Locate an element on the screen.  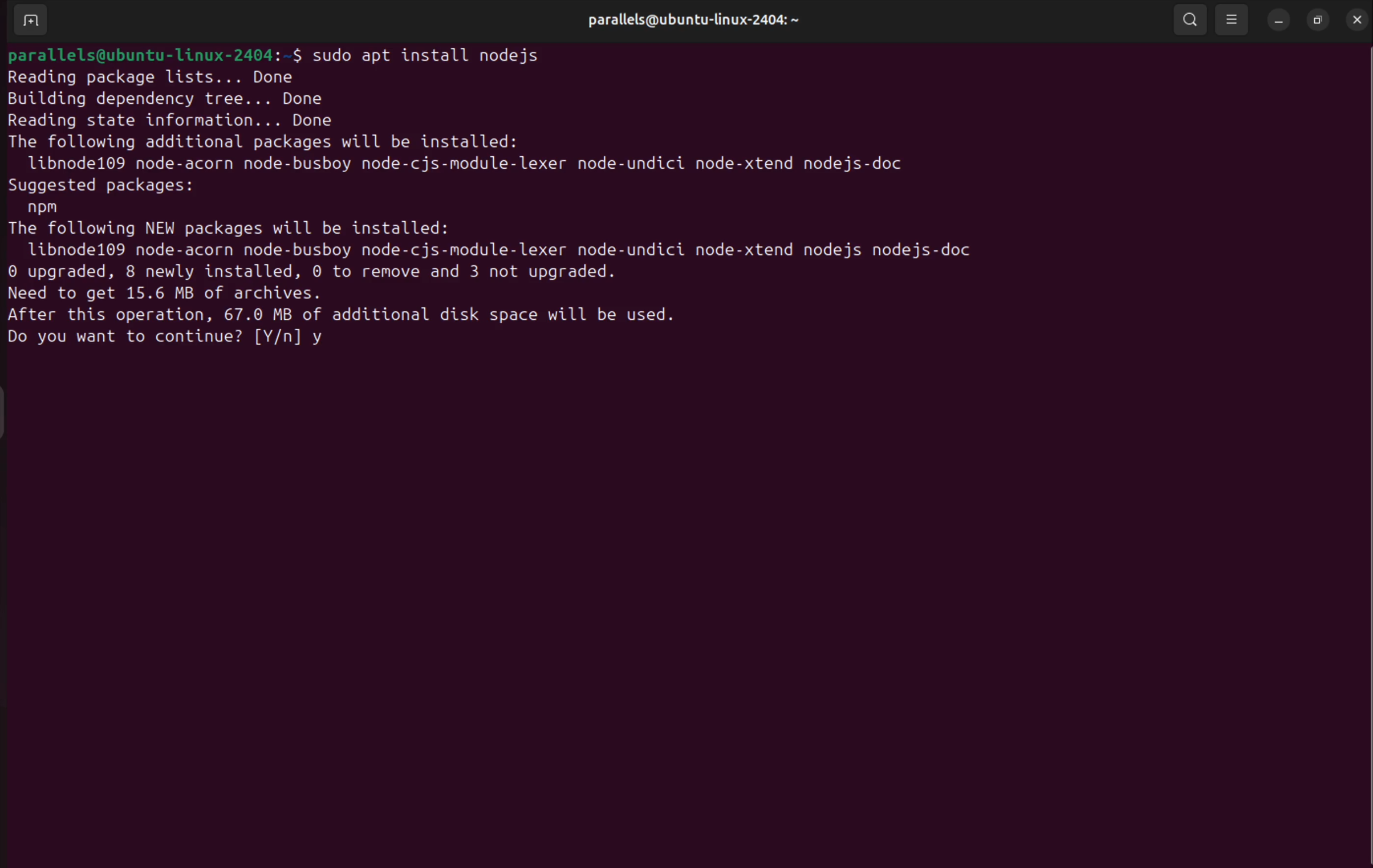
add terminal is located at coordinates (29, 21).